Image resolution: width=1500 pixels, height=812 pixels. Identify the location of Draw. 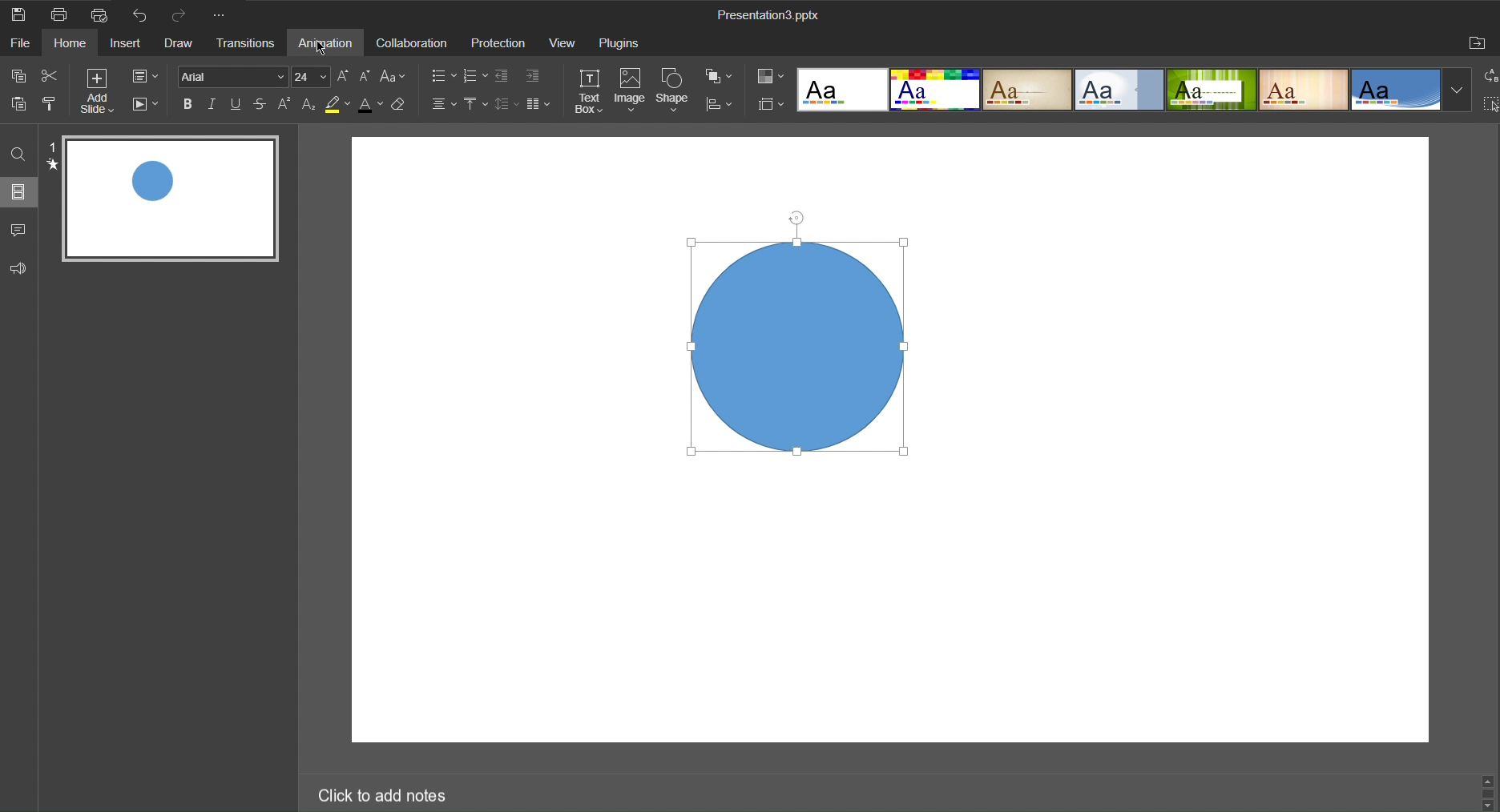
(182, 45).